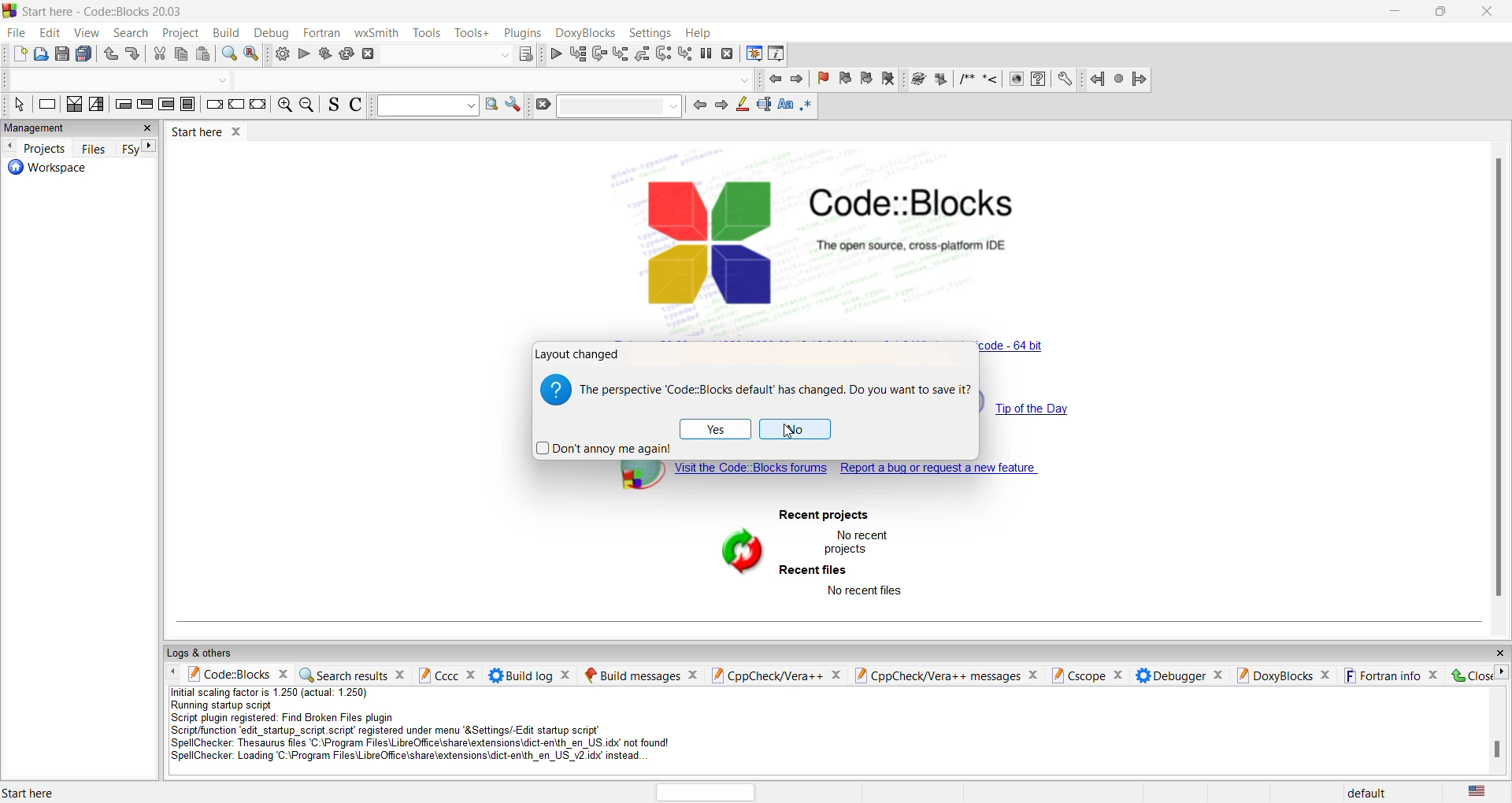 The height and width of the screenshot is (803, 1512). I want to click on dropdown, so click(621, 106).